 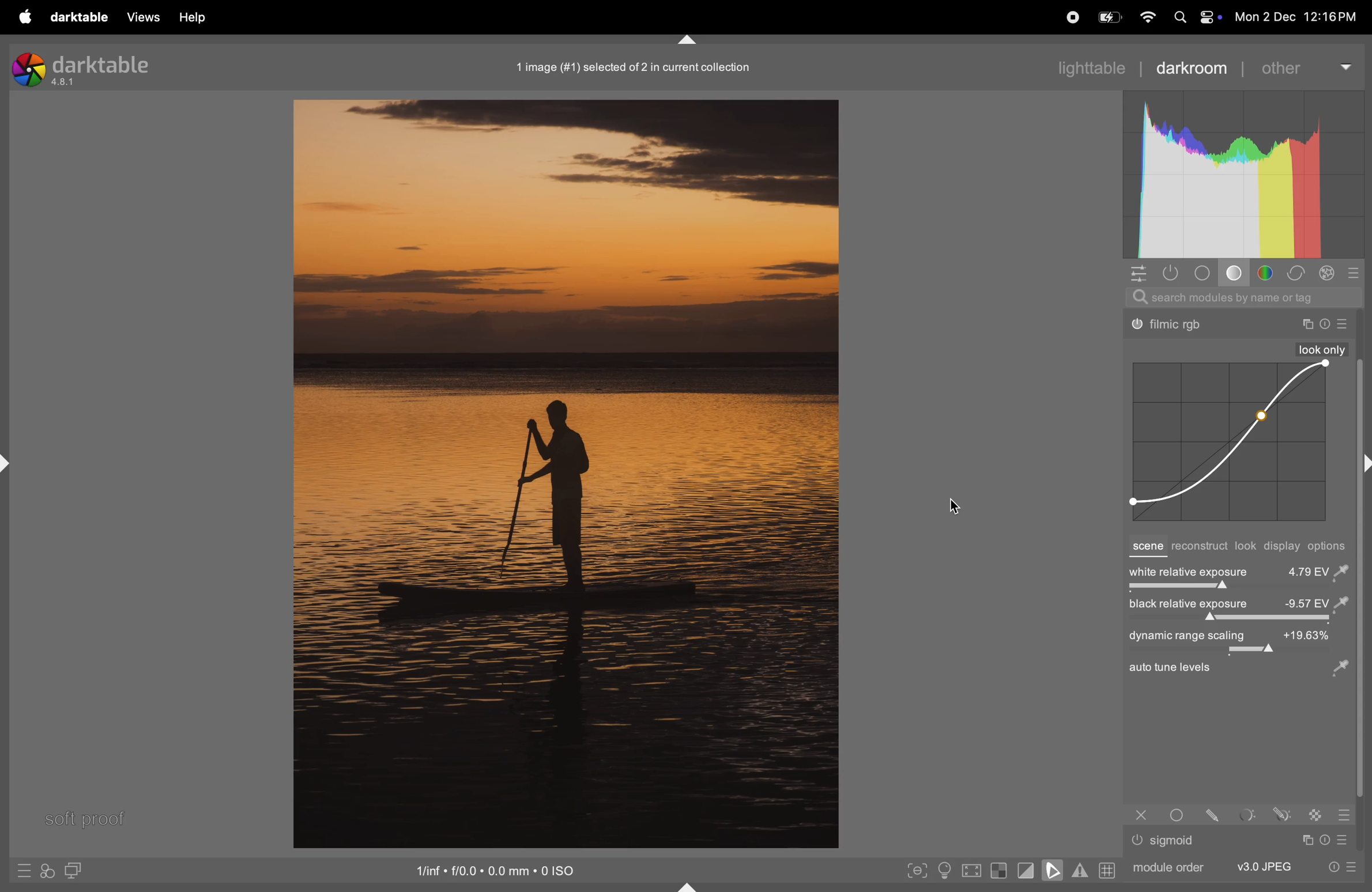 What do you see at coordinates (1173, 273) in the screenshot?
I see `show active modules only` at bounding box center [1173, 273].